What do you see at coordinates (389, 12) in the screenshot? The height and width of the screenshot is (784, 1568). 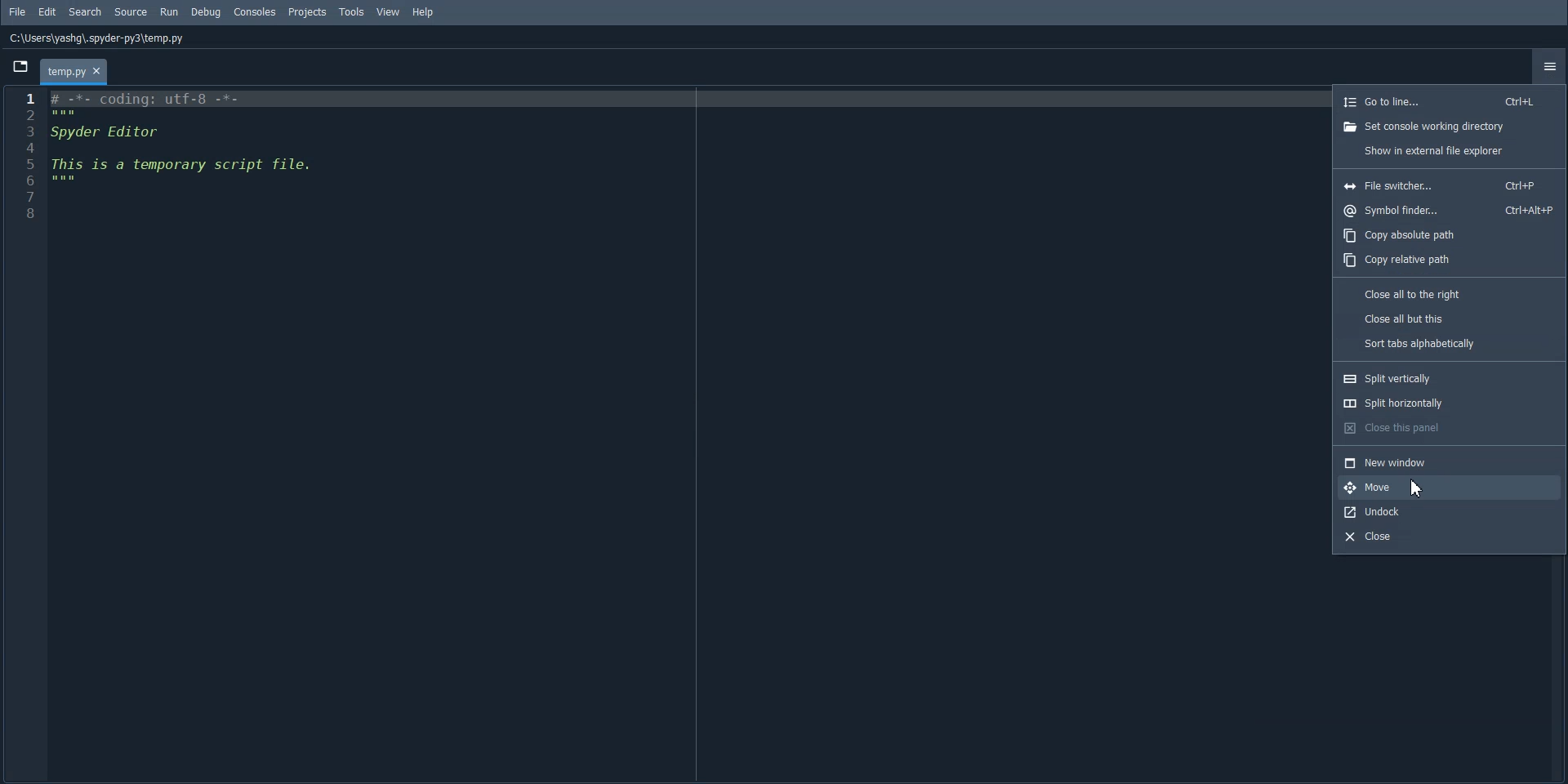 I see `View` at bounding box center [389, 12].